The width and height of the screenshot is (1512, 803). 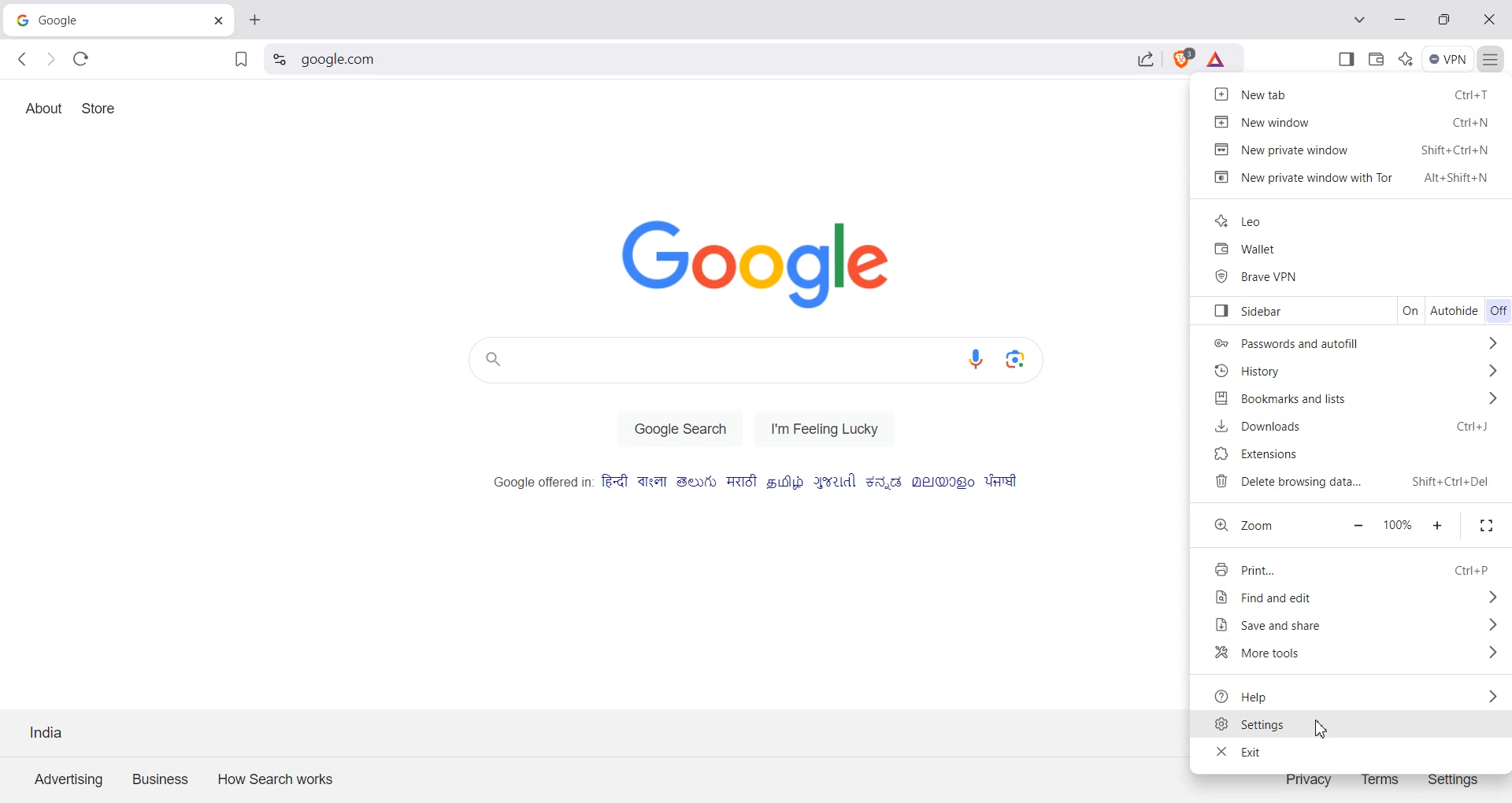 I want to click on Multi Language, so click(x=757, y=482).